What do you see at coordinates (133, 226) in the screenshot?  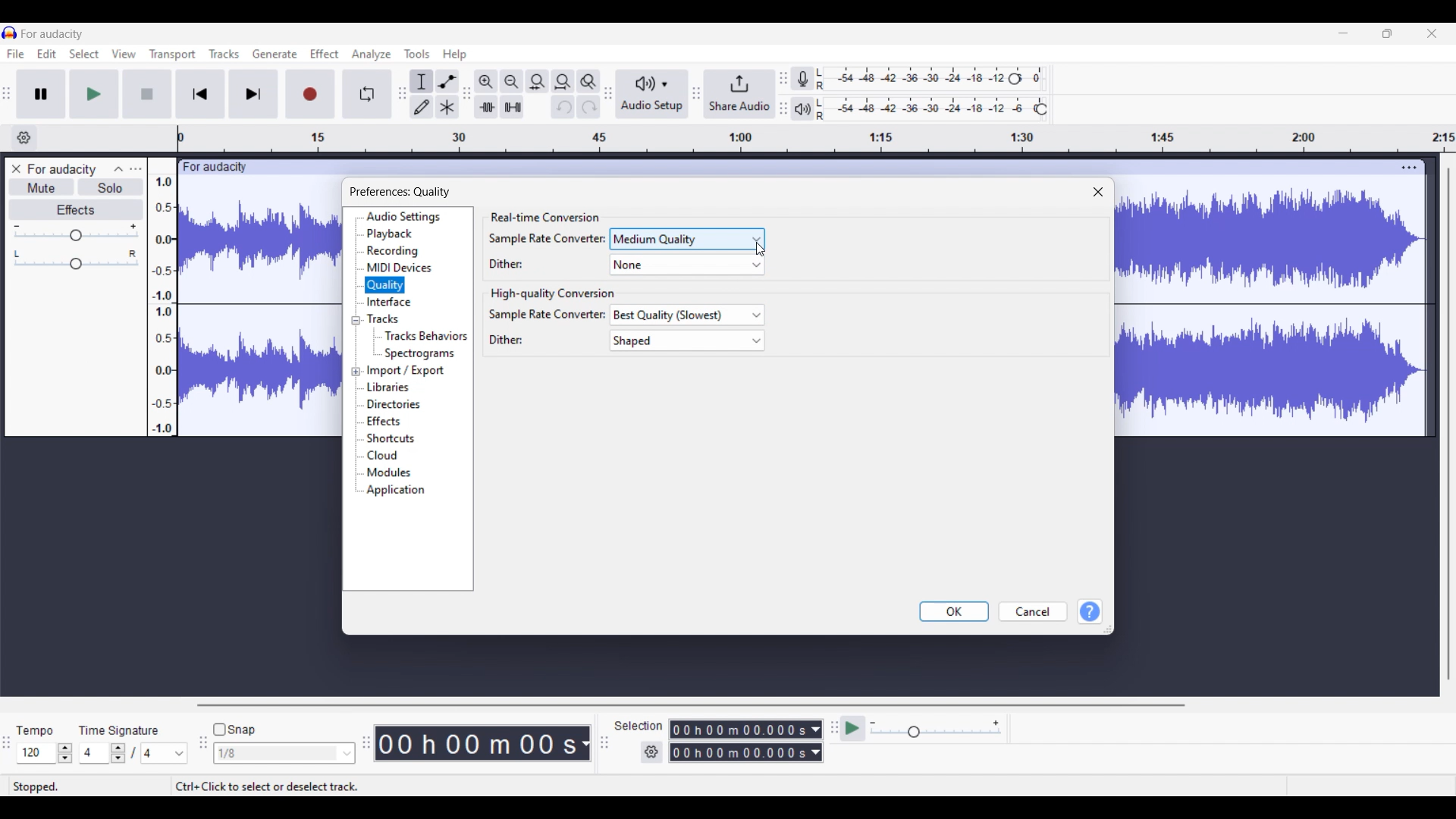 I see `Increase volume` at bounding box center [133, 226].